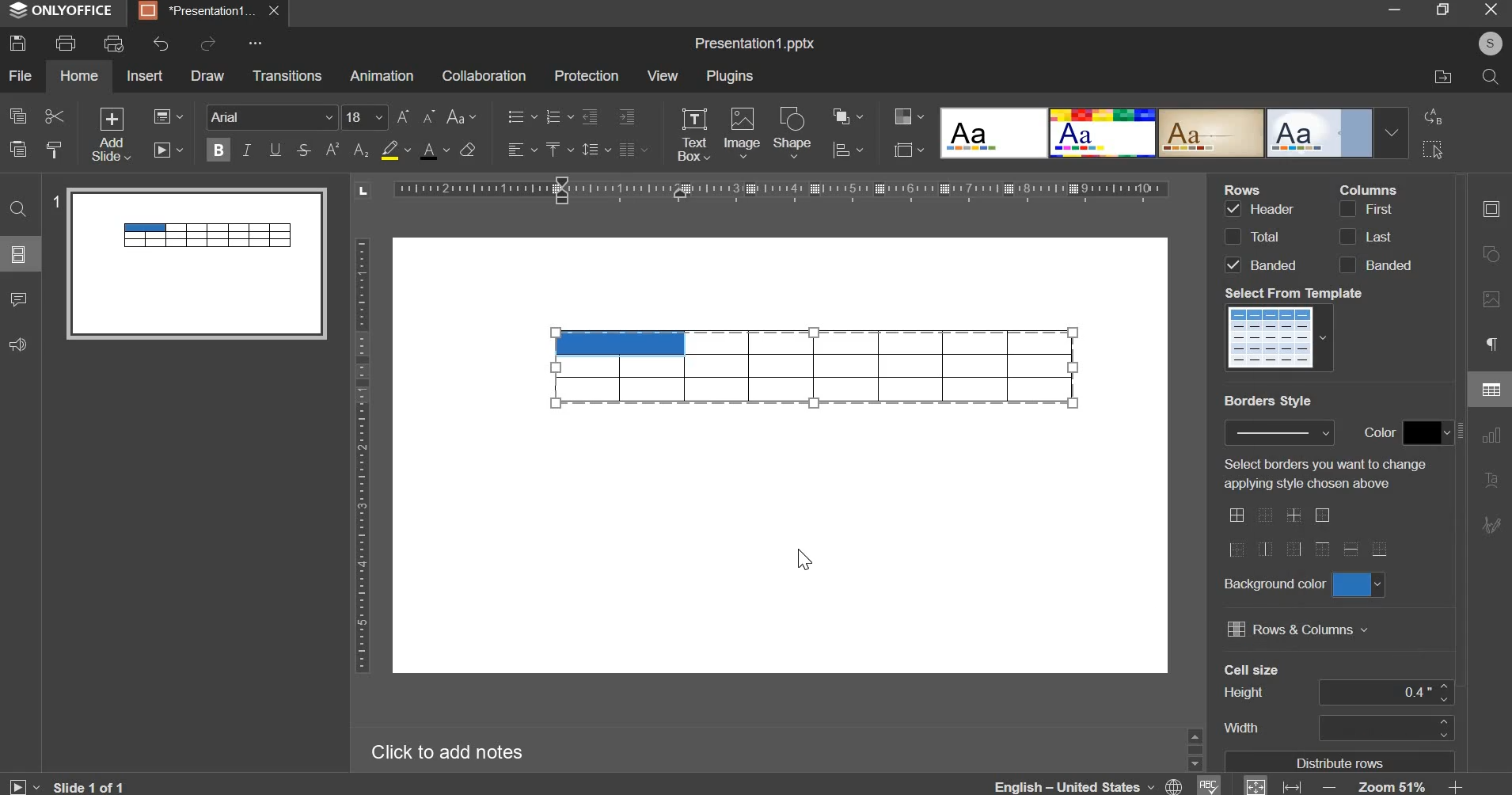  I want to click on bullets, so click(521, 116).